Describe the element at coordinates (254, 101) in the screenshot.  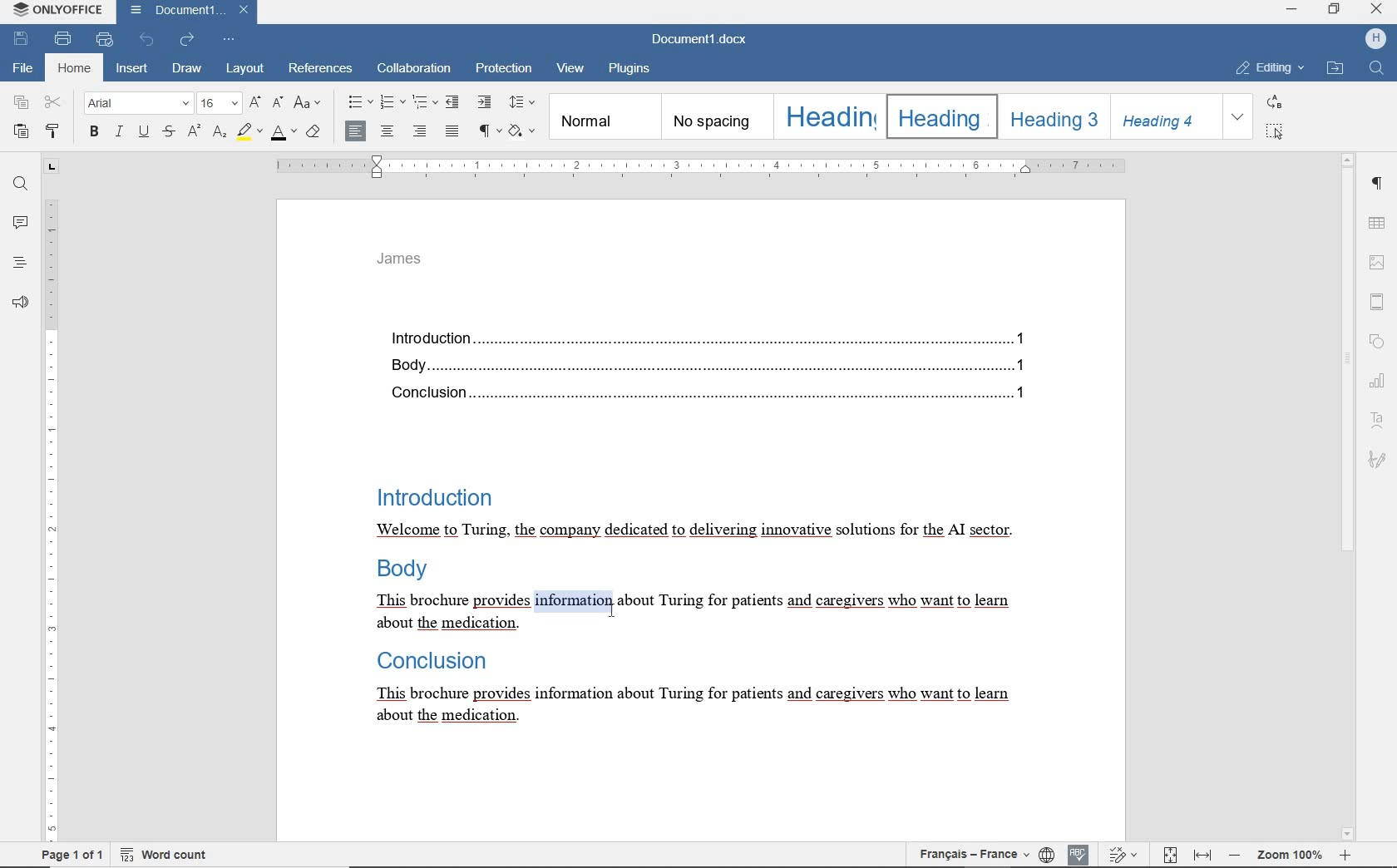
I see `INCREMENT FONT SIZE` at that location.